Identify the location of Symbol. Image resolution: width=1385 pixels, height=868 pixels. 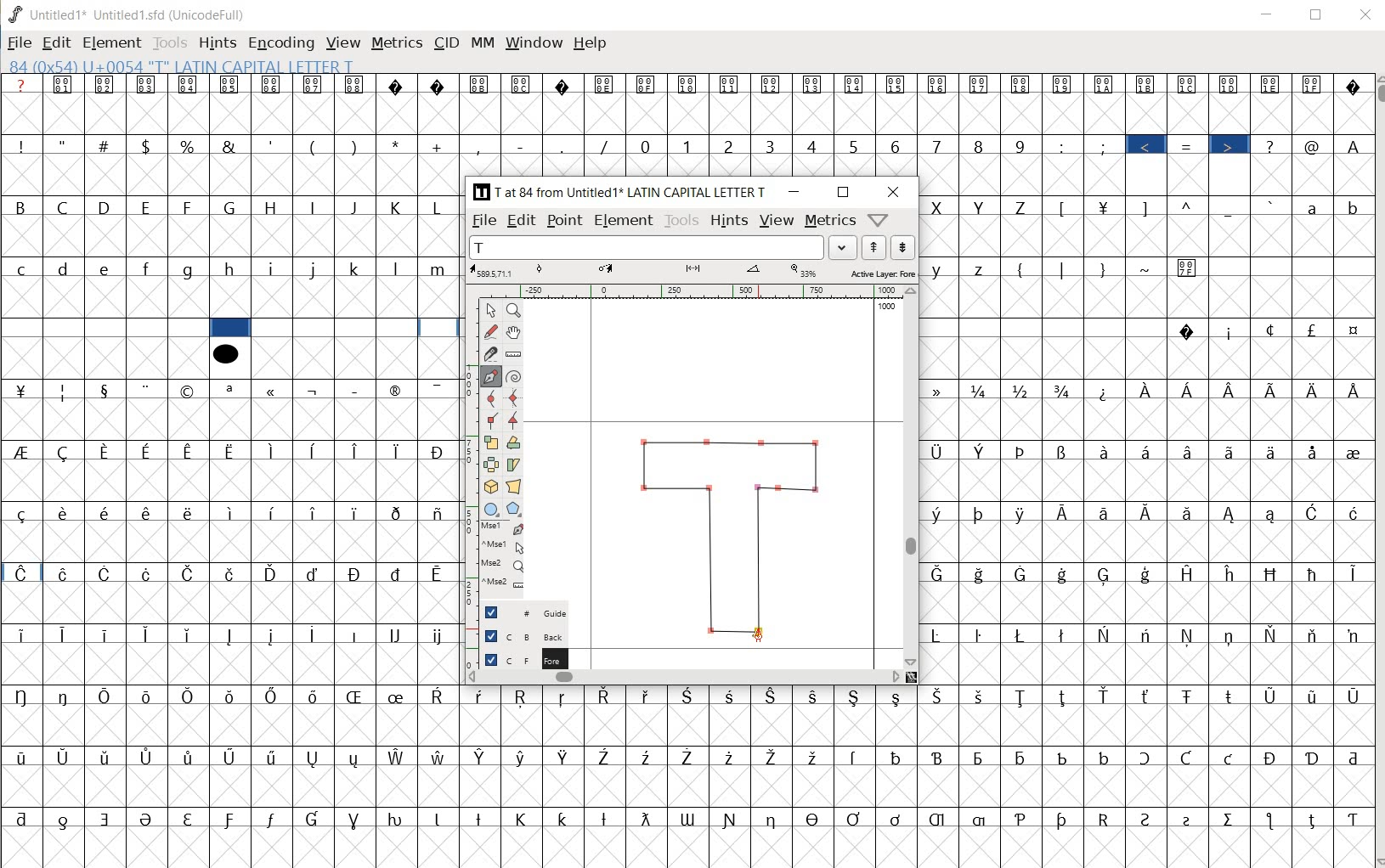
(1234, 574).